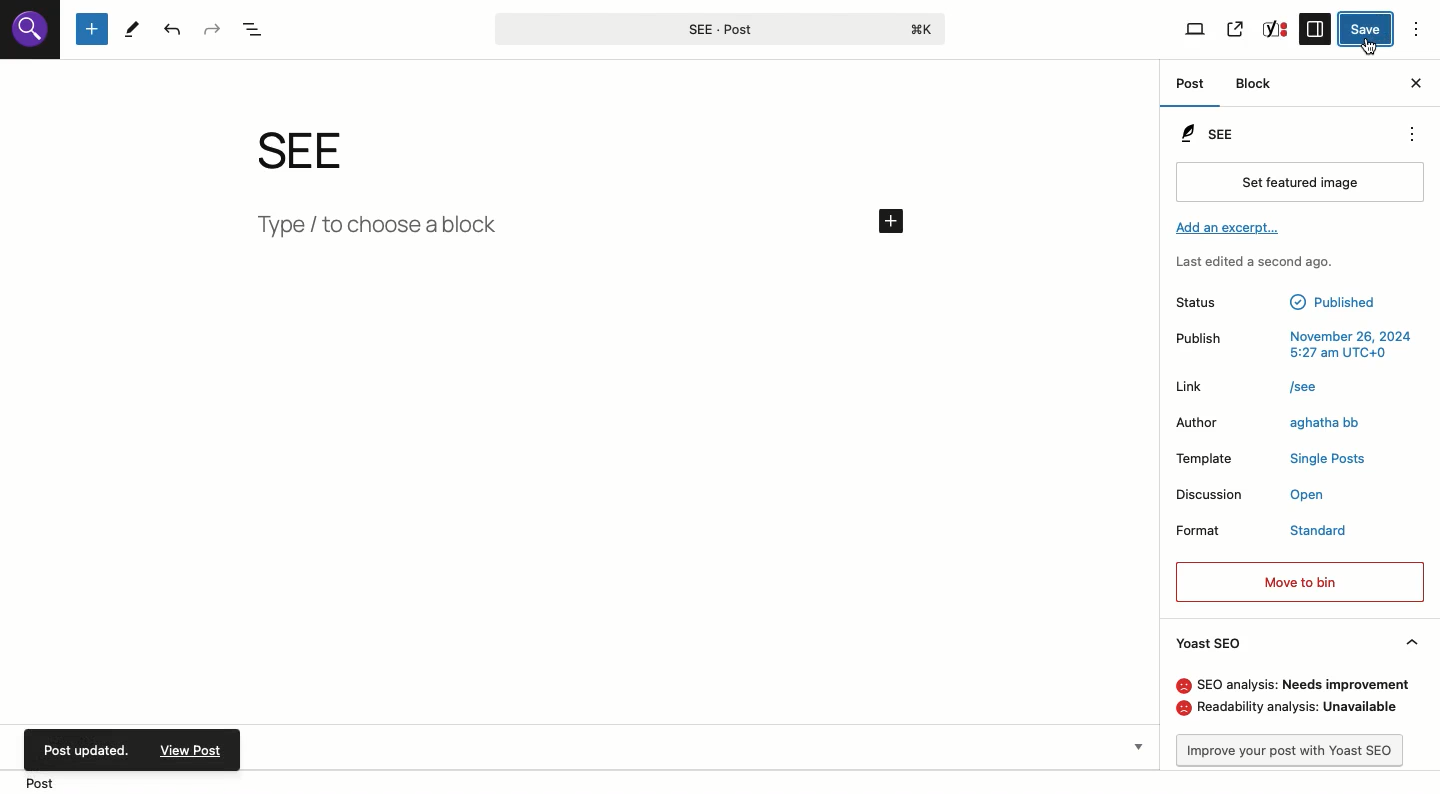 This screenshot has width=1440, height=794. Describe the element at coordinates (1211, 641) in the screenshot. I see `Yoast SEO` at that location.